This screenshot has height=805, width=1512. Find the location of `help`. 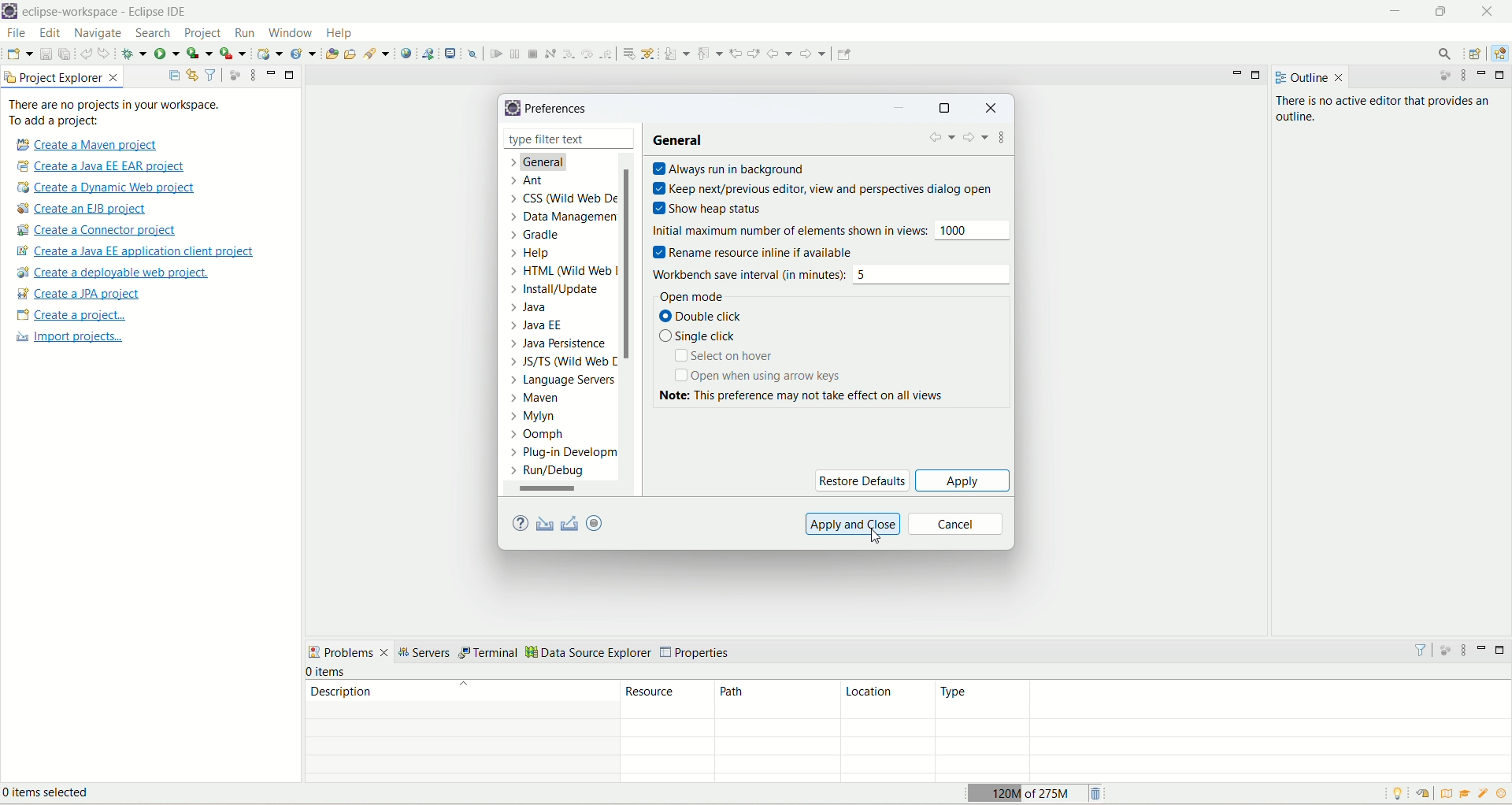

help is located at coordinates (341, 33).